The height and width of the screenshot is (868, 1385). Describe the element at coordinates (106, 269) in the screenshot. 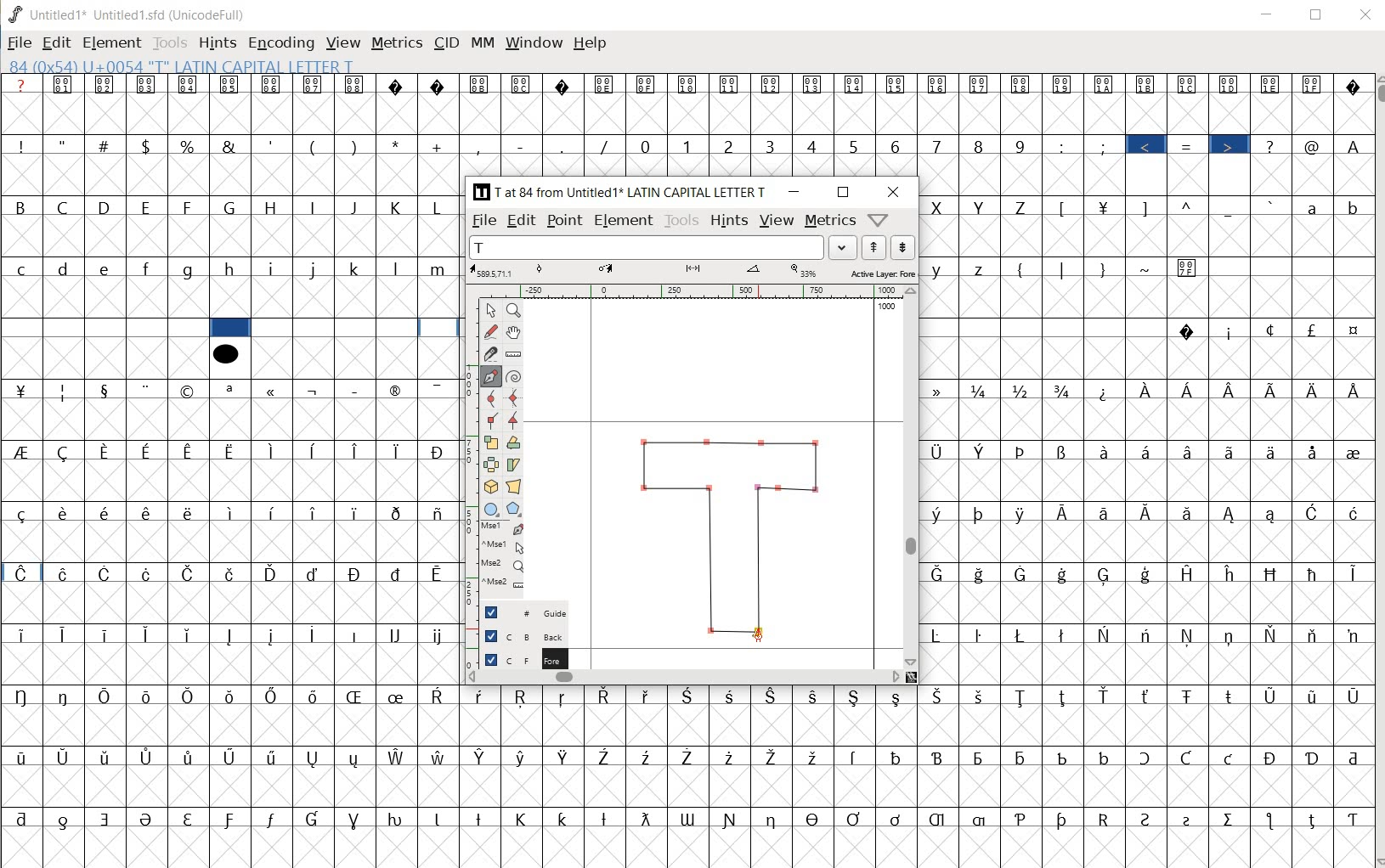

I see `e` at that location.